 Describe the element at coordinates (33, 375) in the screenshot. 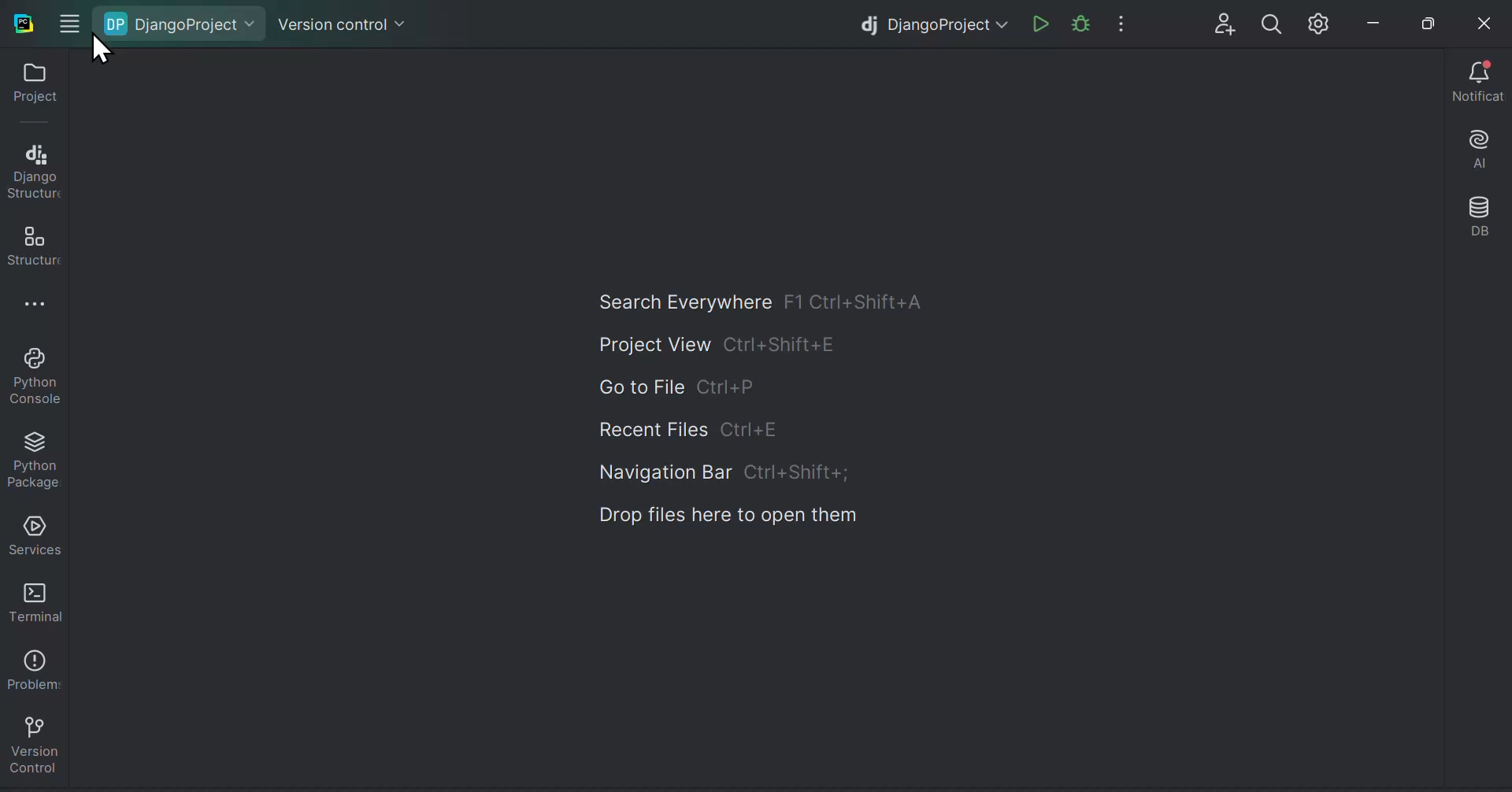

I see `Python console` at that location.